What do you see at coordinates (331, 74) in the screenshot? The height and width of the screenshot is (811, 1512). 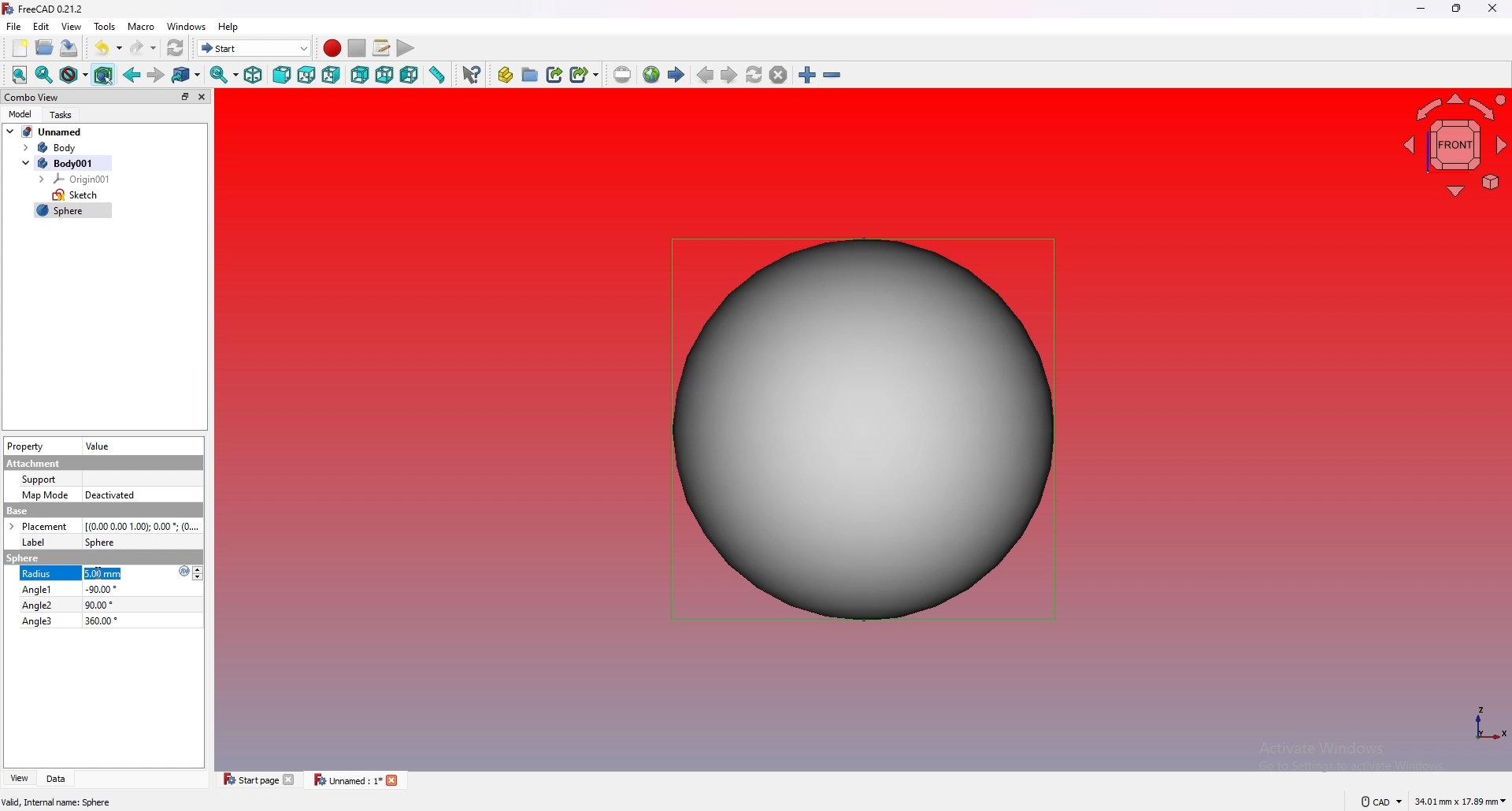 I see `right` at bounding box center [331, 74].